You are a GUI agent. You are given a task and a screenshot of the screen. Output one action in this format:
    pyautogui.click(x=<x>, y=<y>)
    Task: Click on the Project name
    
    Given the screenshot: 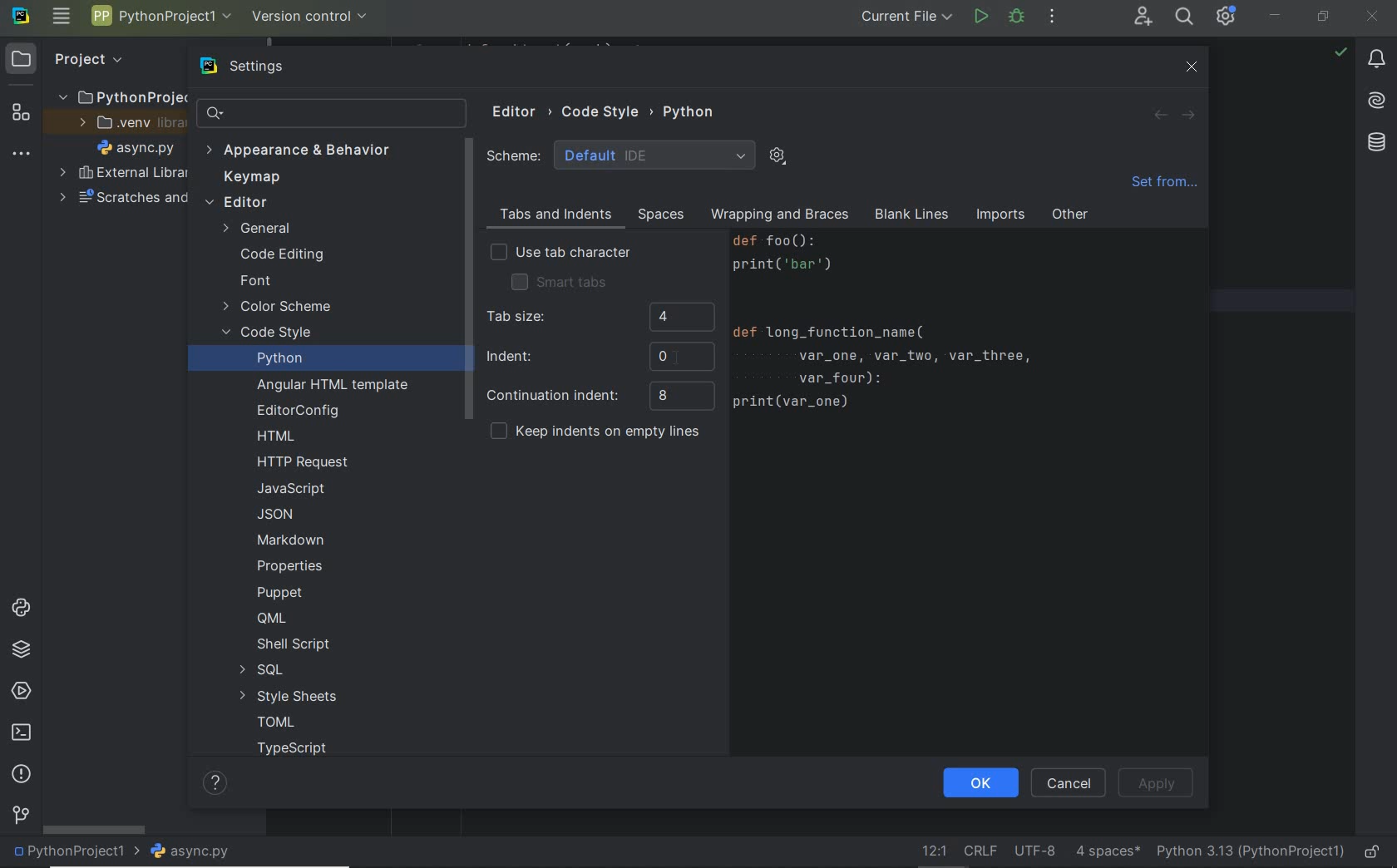 What is the action you would take?
    pyautogui.click(x=159, y=18)
    